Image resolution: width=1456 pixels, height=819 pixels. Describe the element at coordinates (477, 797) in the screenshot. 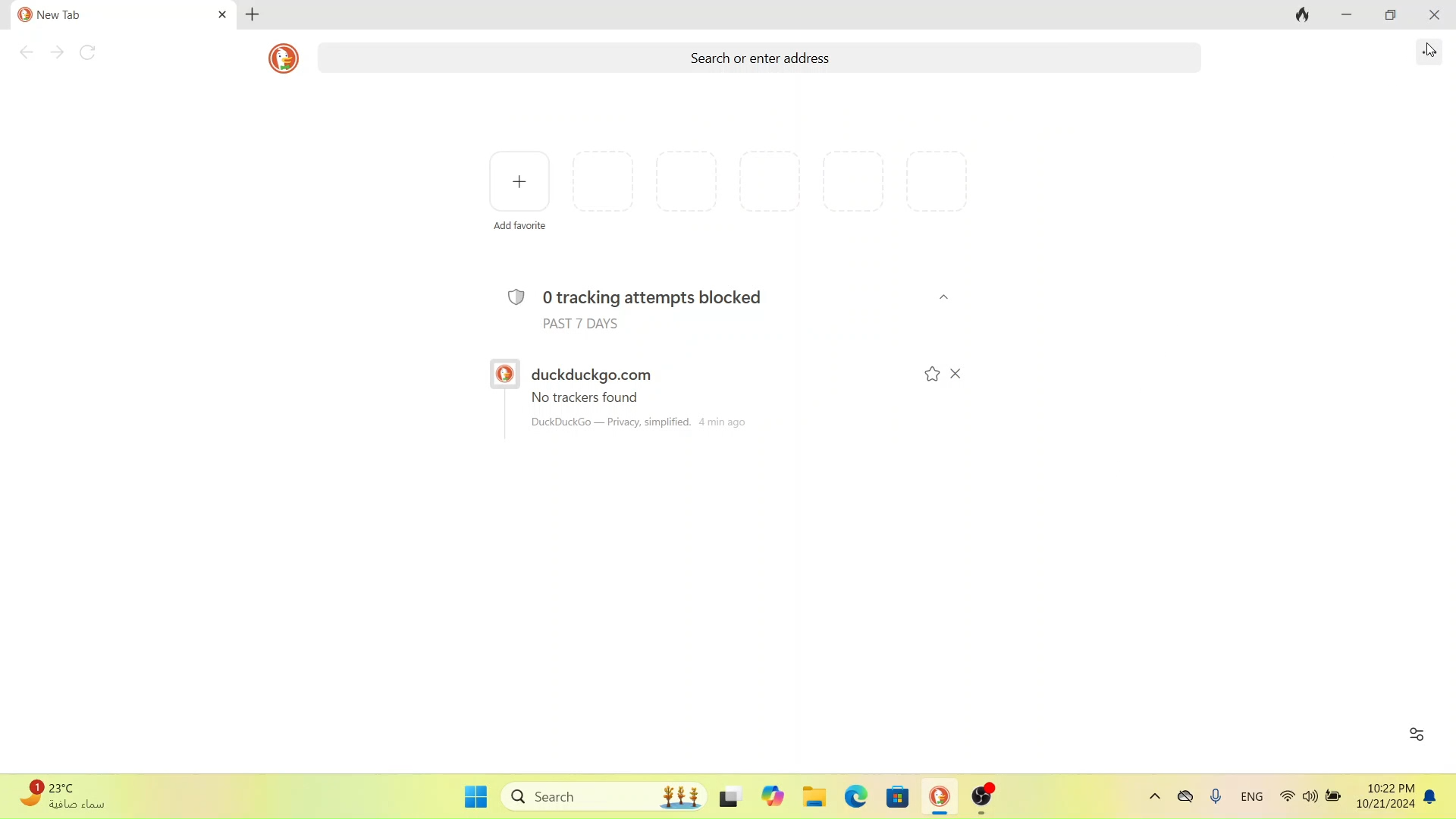

I see `start` at that location.